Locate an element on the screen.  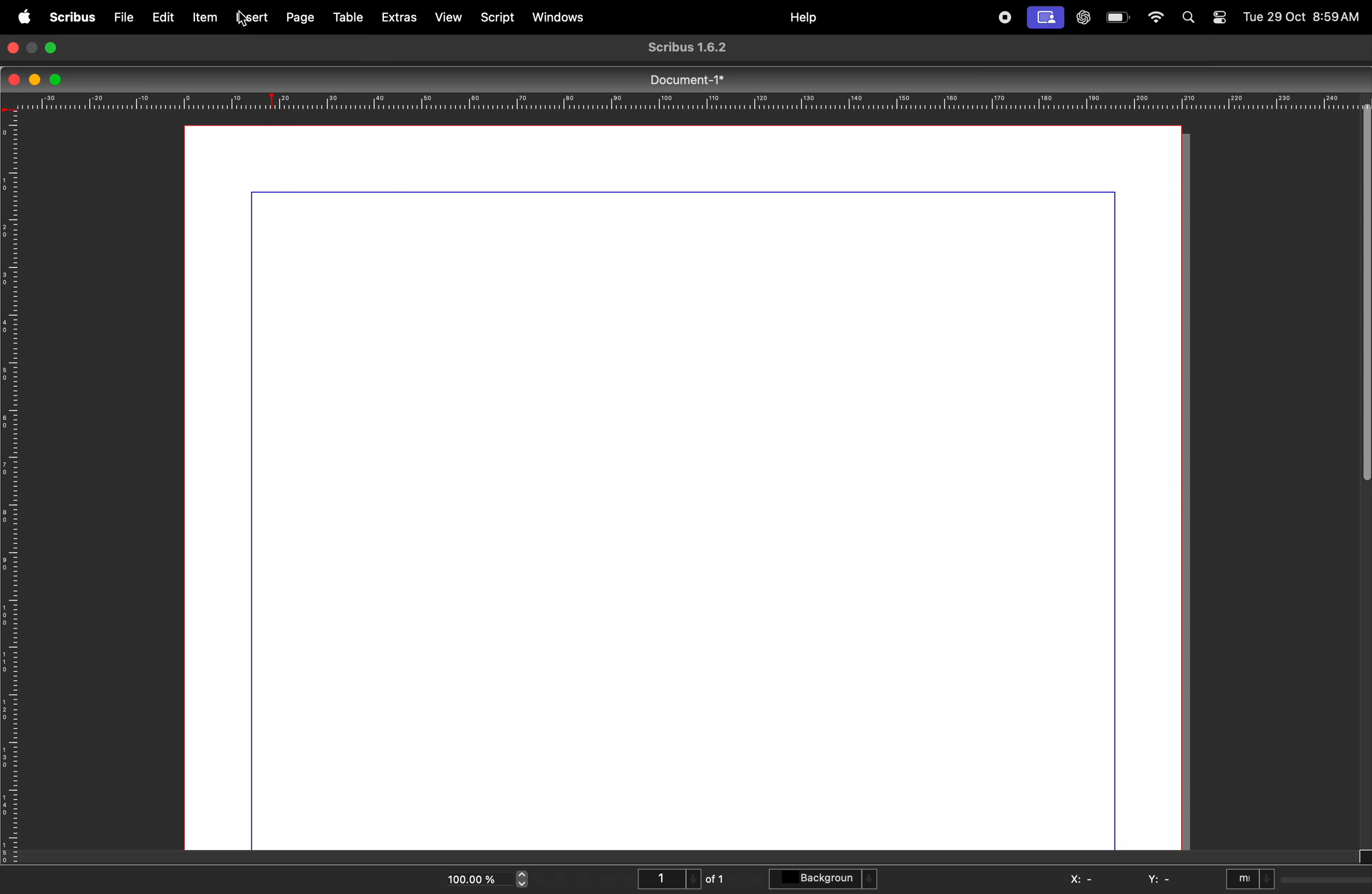
insert is located at coordinates (251, 17).